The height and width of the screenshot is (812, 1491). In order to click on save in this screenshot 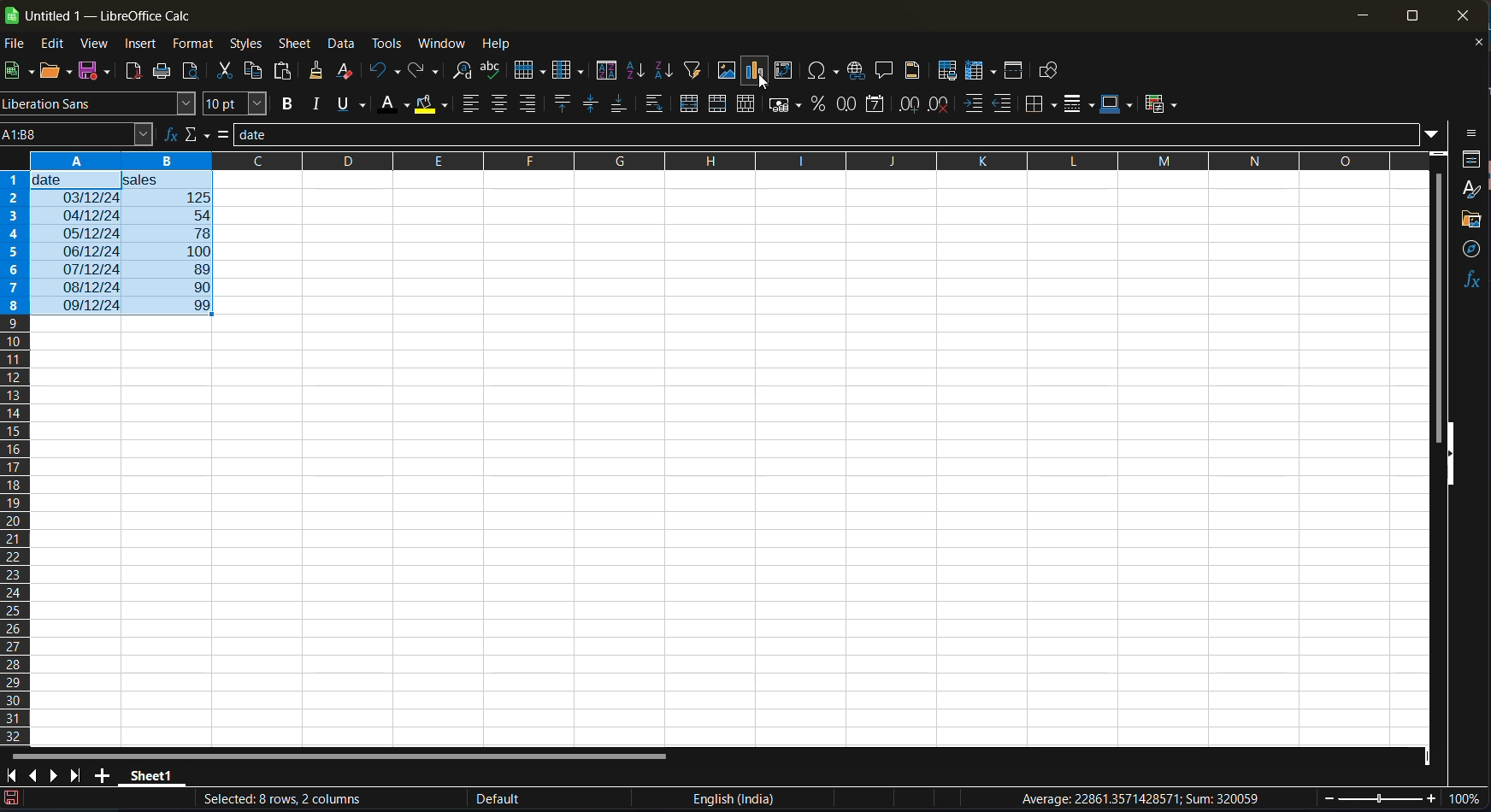, I will do `click(99, 70)`.